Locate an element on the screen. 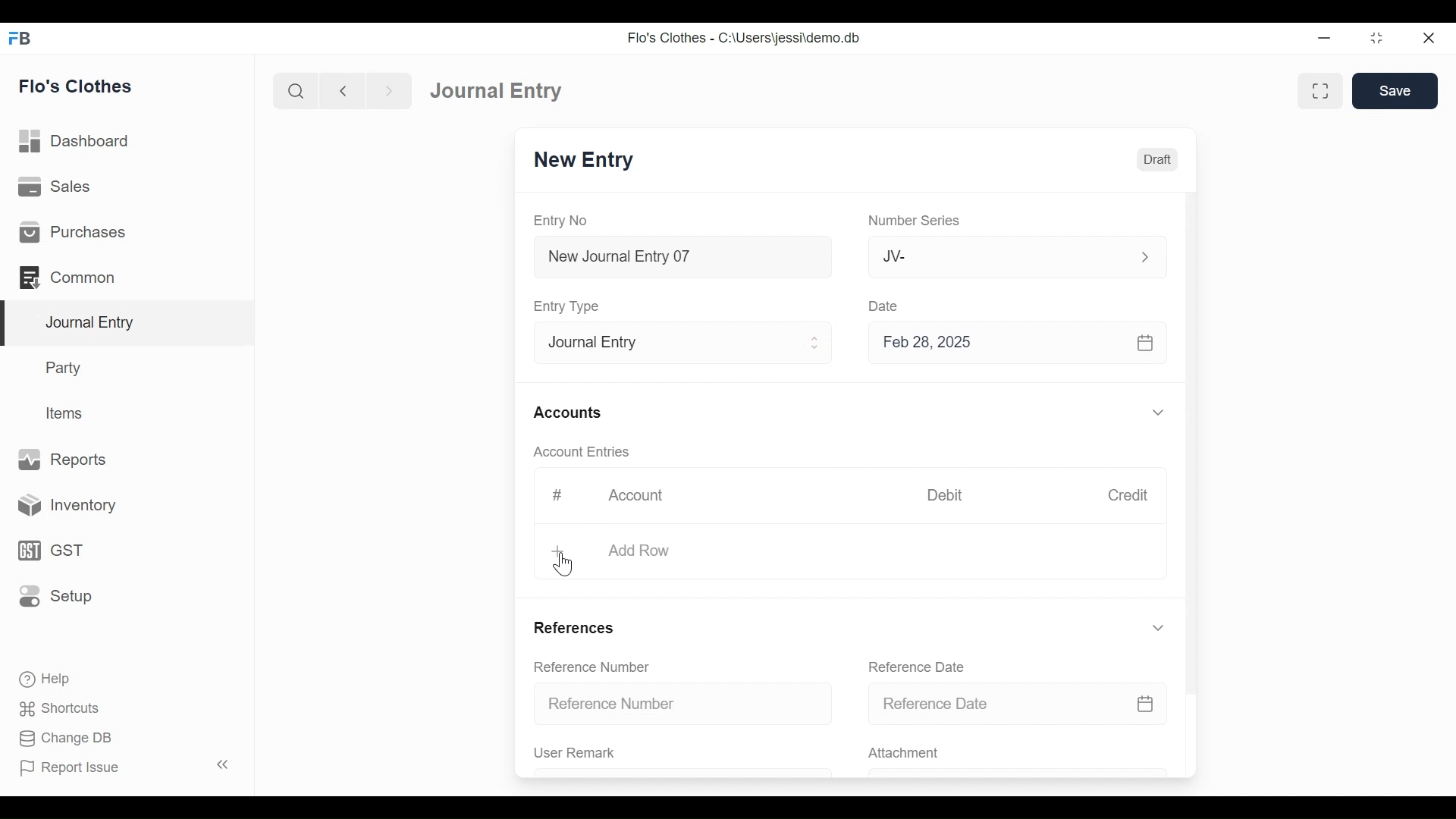  Report Issue is located at coordinates (69, 767).